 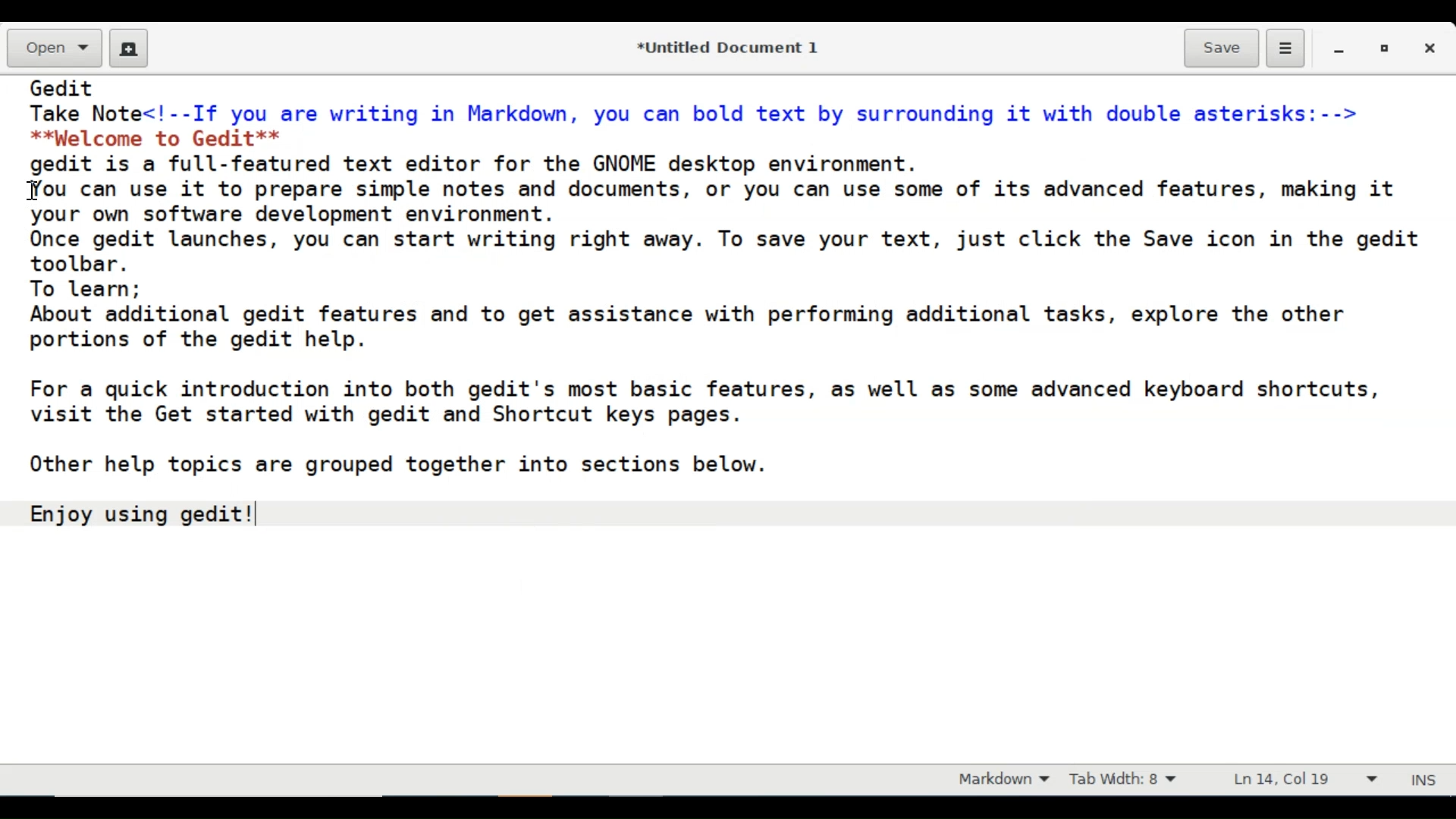 What do you see at coordinates (1134, 780) in the screenshot?
I see `Tab Width` at bounding box center [1134, 780].